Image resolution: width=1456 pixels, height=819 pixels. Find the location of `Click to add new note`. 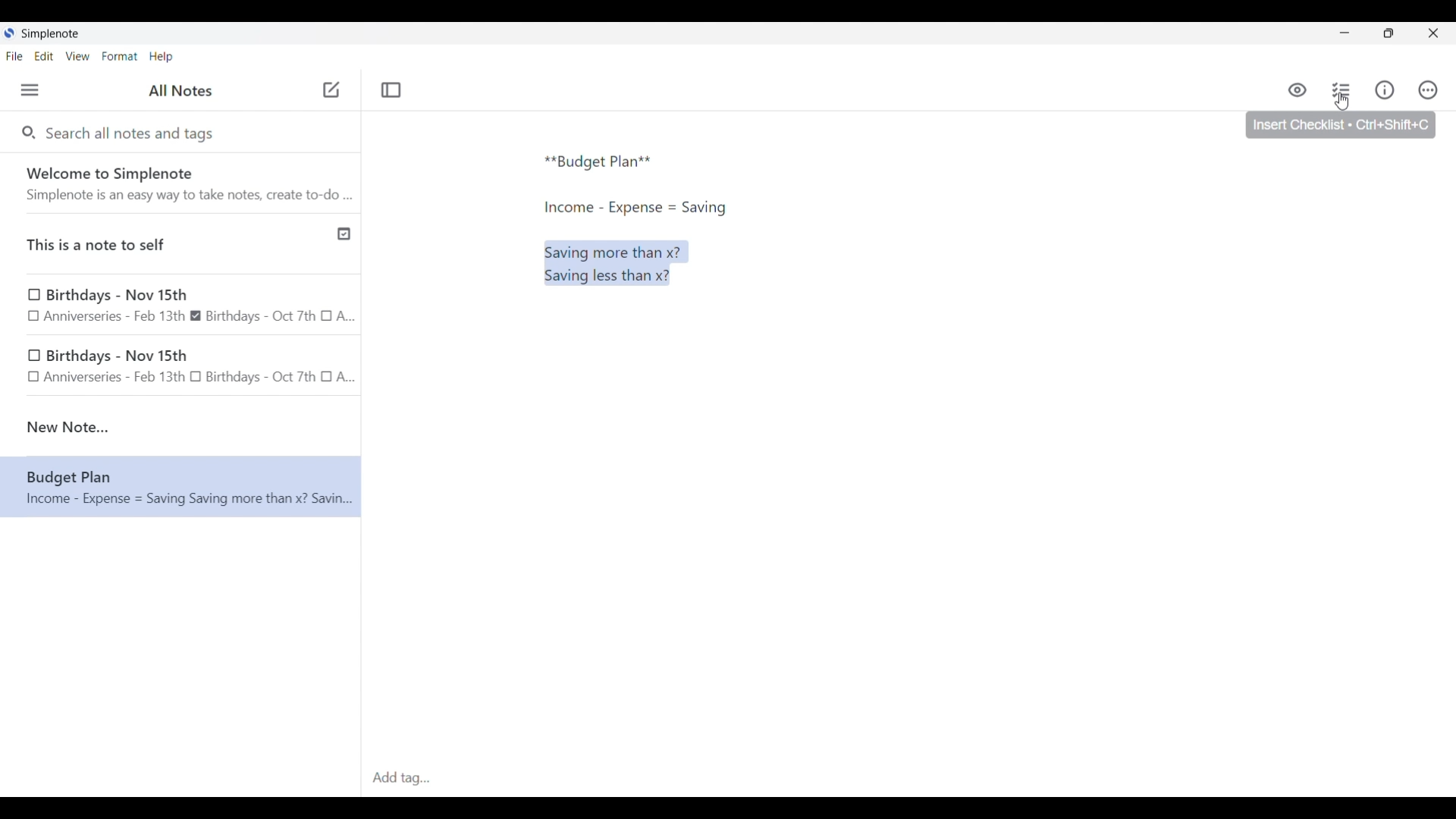

Click to add new note is located at coordinates (331, 89).